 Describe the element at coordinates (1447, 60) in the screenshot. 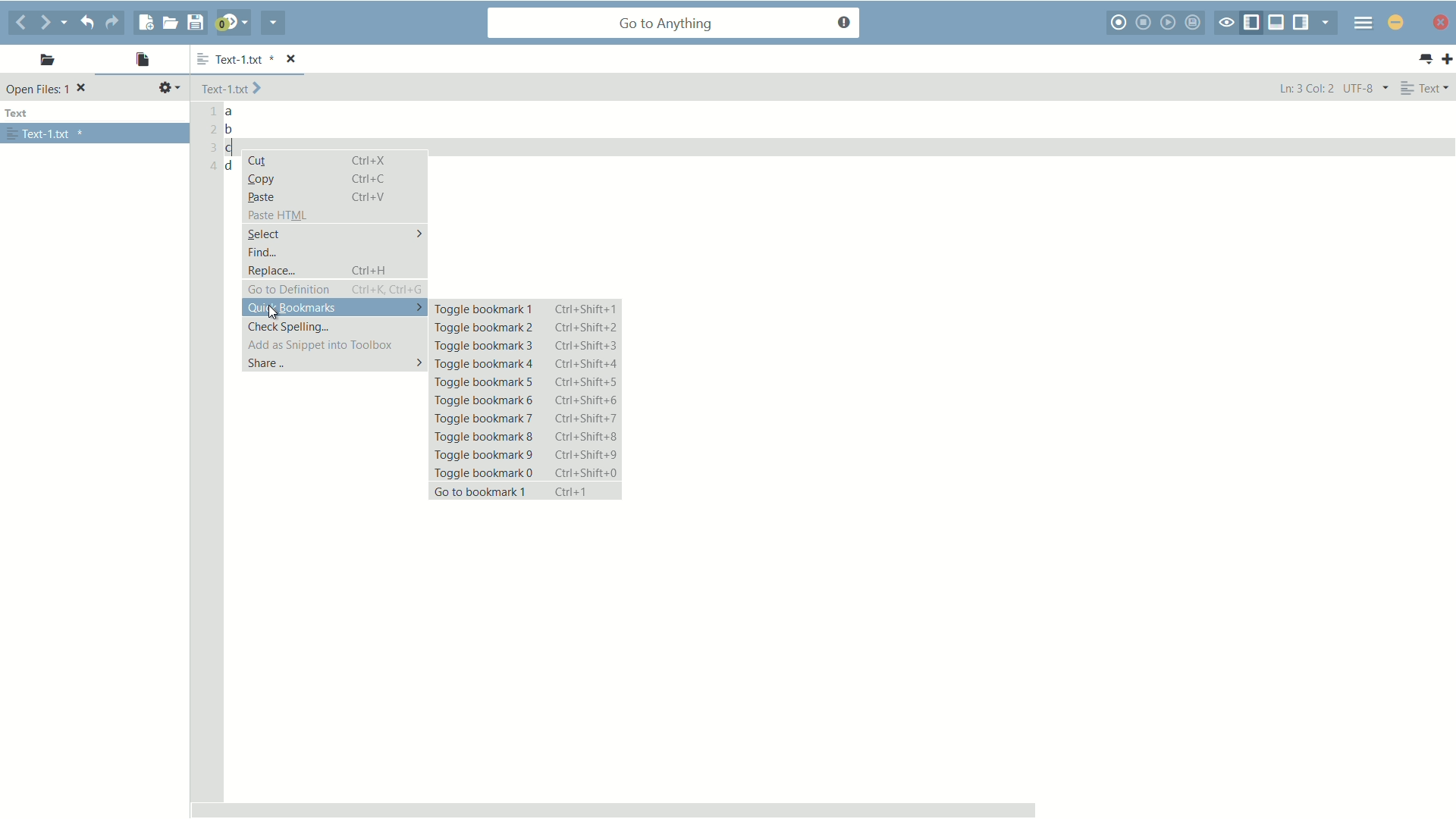

I see `new tab` at that location.